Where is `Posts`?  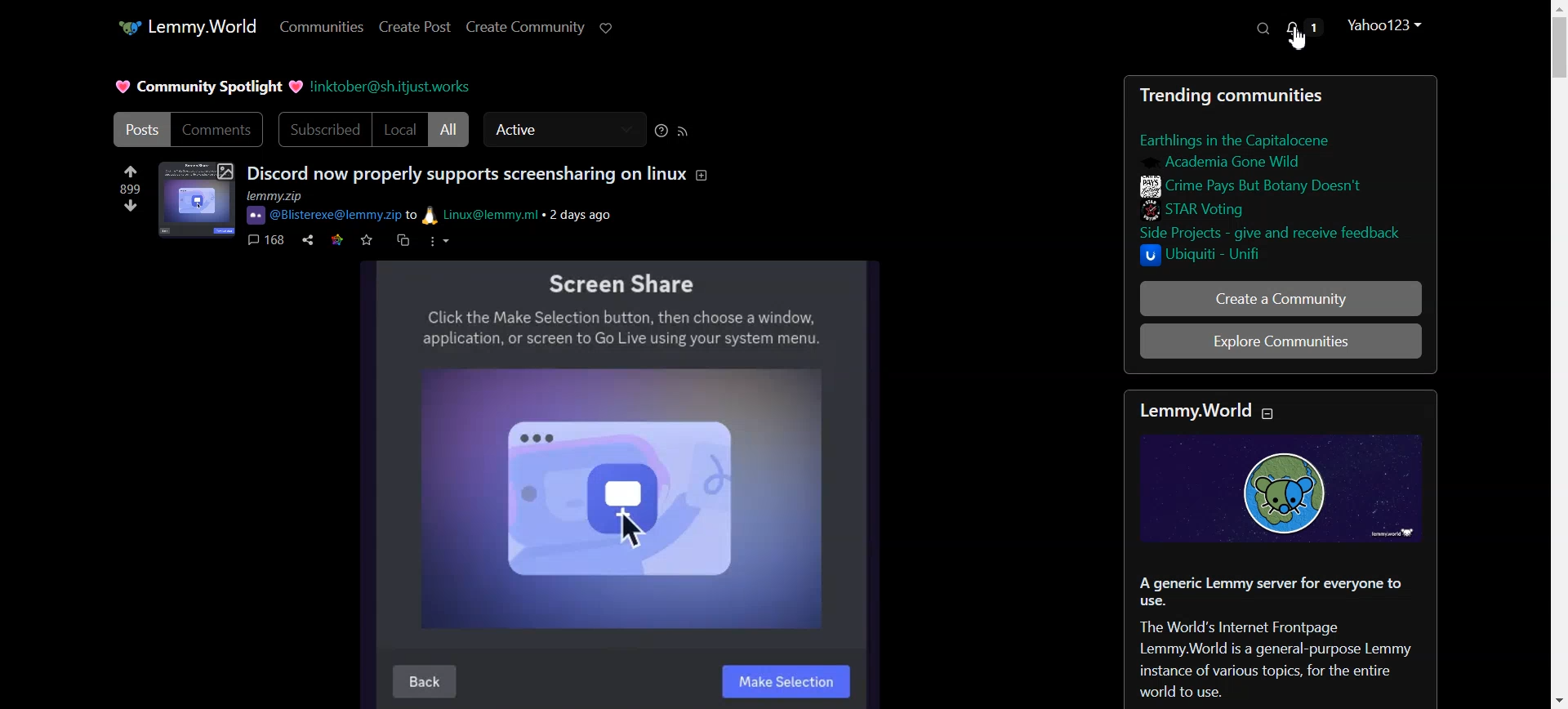
Posts is located at coordinates (1281, 176).